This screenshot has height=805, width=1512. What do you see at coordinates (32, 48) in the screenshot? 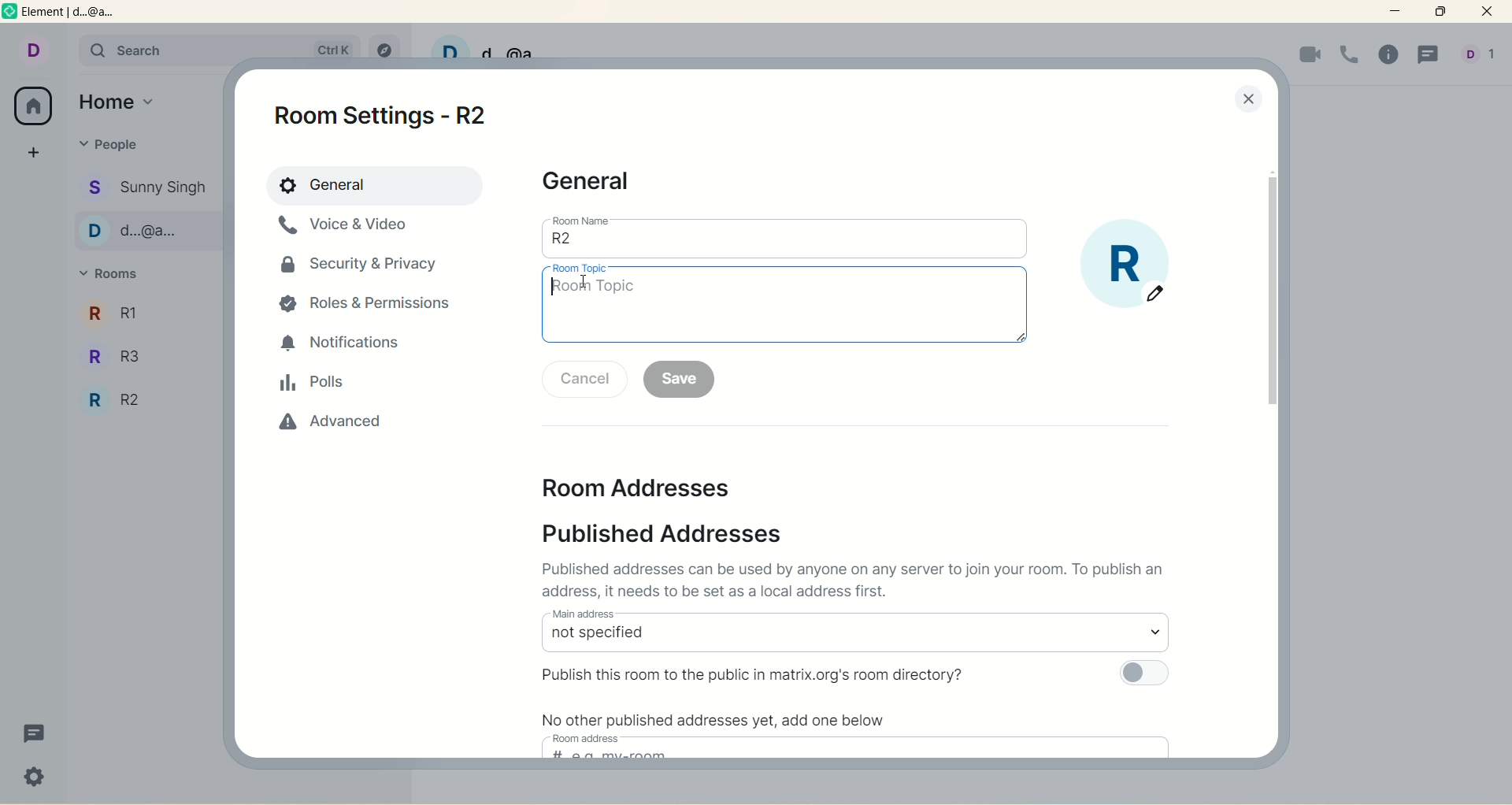
I see `account` at bounding box center [32, 48].